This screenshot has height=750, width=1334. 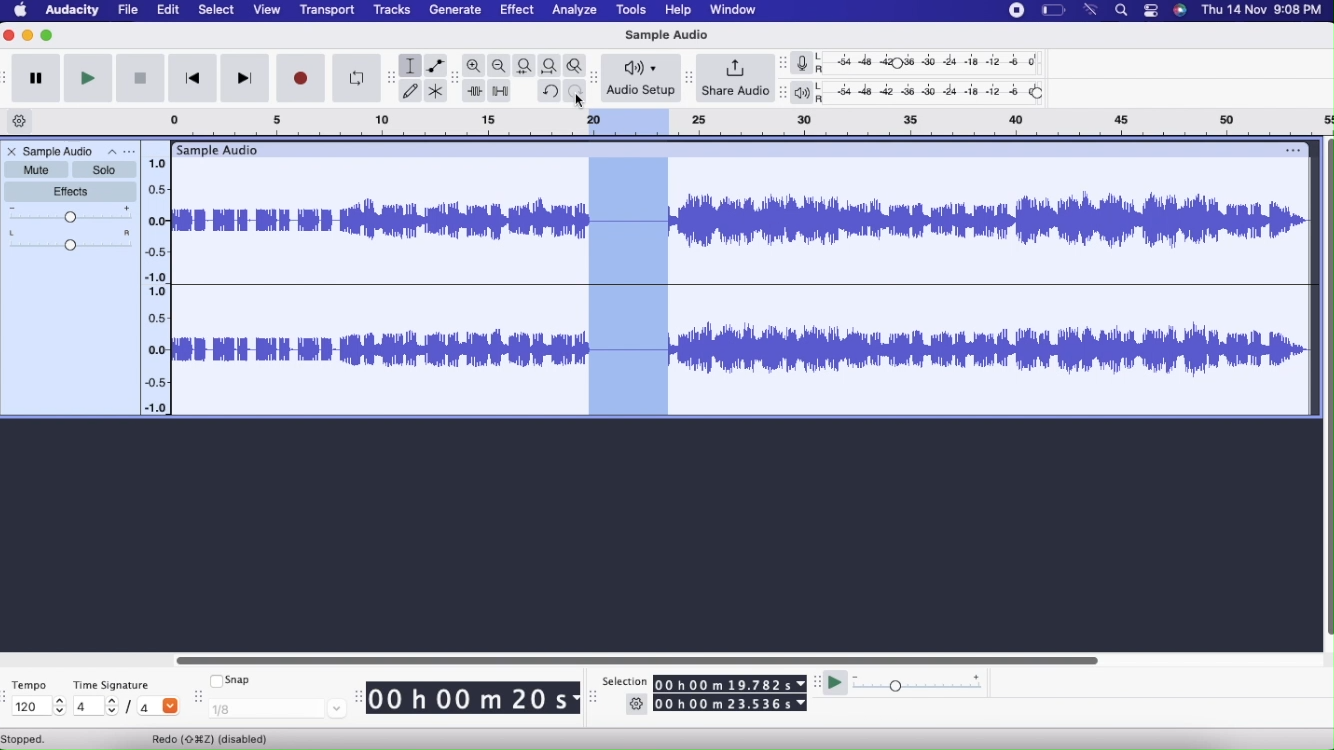 I want to click on Recording level, so click(x=934, y=63).